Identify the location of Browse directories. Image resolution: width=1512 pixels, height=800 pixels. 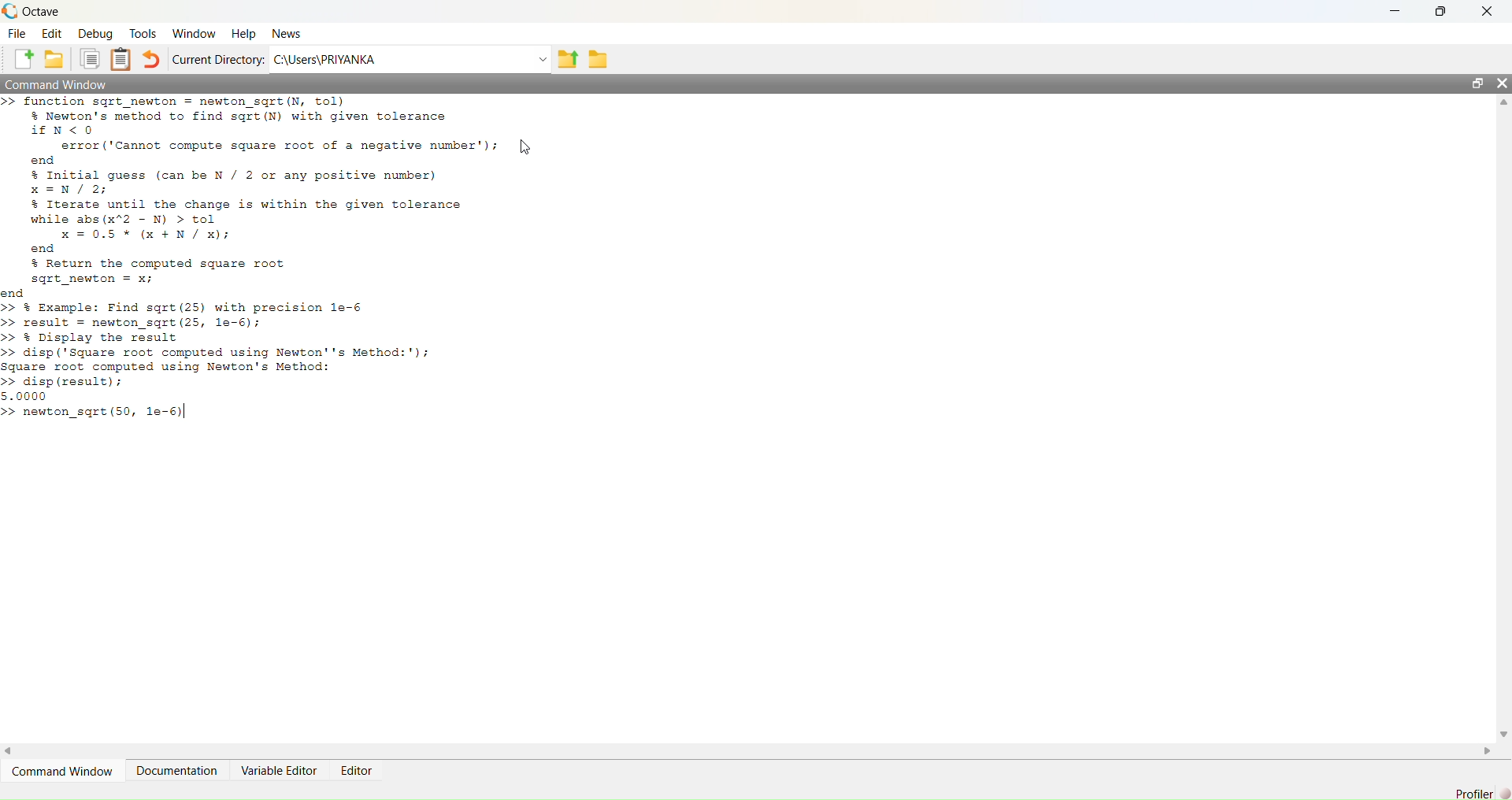
(598, 57).